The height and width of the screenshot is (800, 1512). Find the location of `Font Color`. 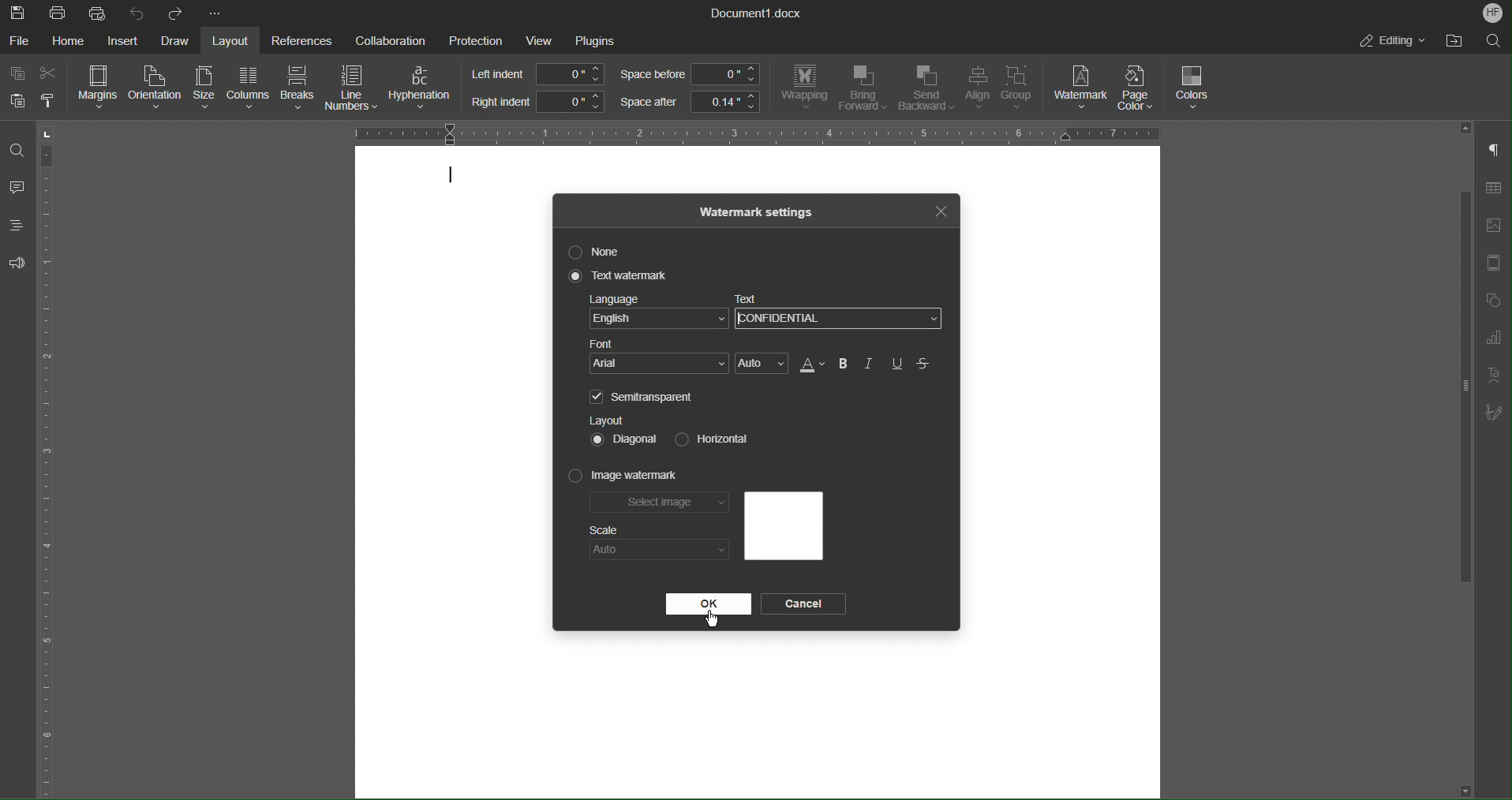

Font Color is located at coordinates (810, 364).